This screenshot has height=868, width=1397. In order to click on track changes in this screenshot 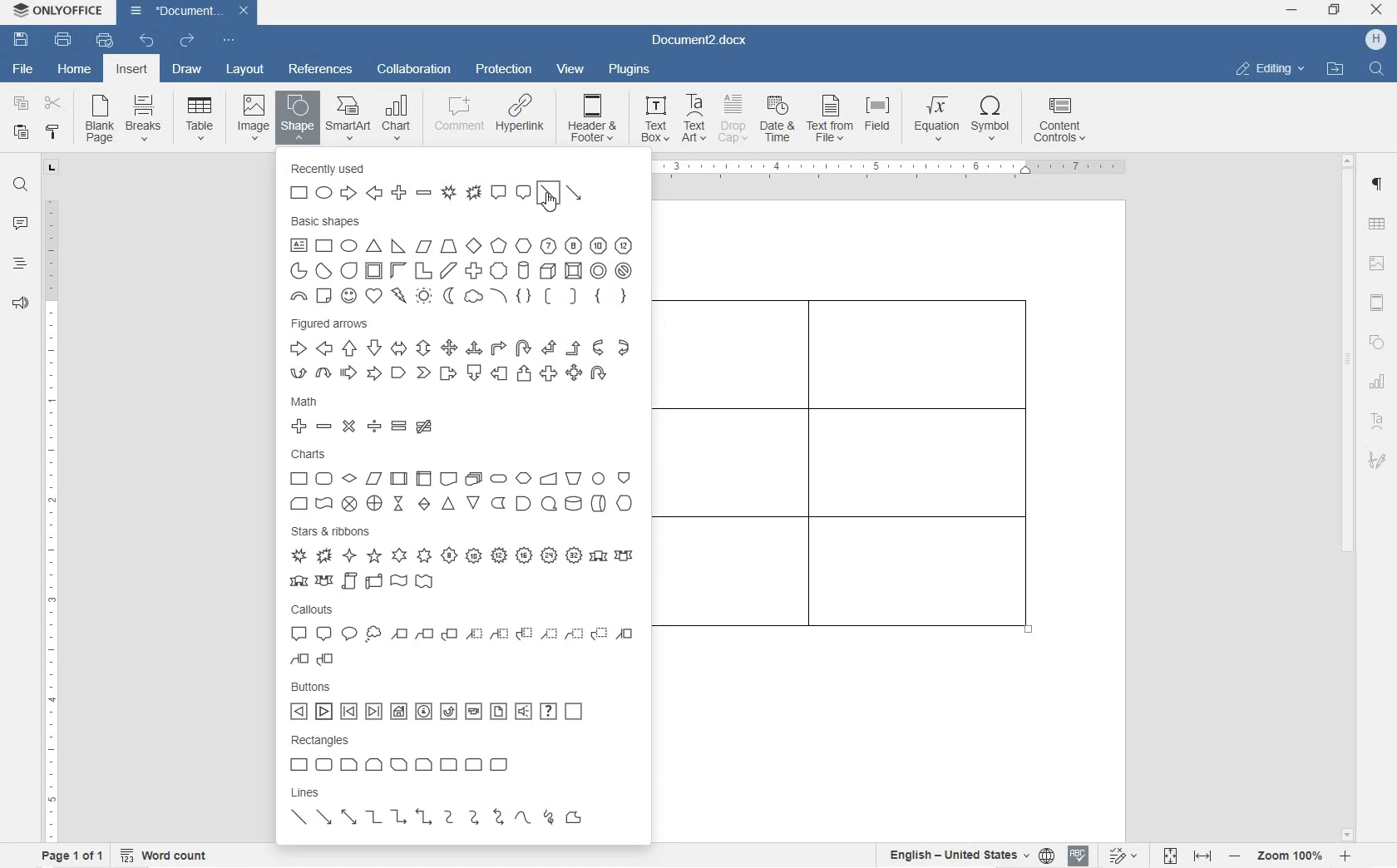, I will do `click(1127, 856)`.